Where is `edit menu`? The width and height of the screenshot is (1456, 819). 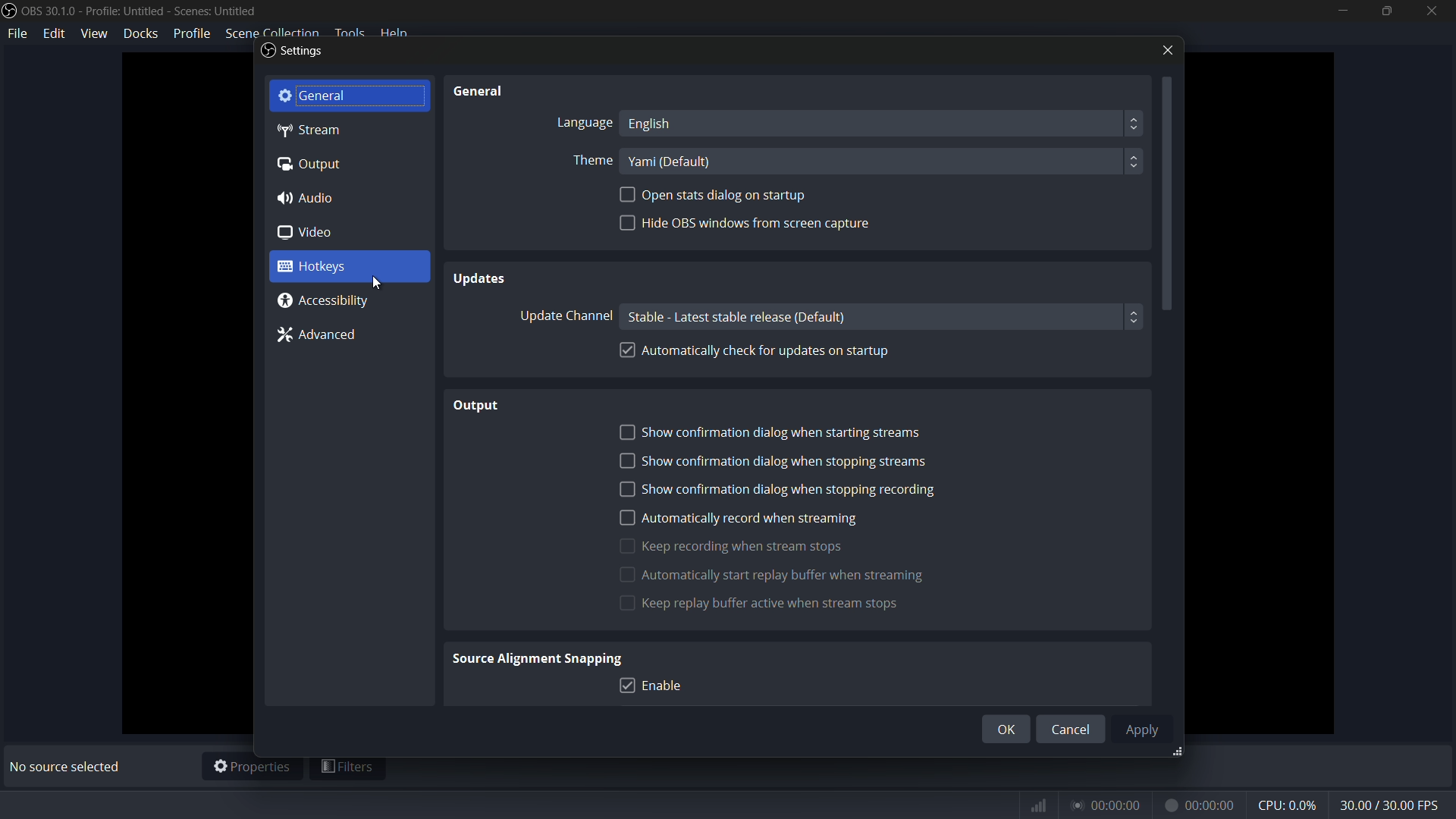
edit menu is located at coordinates (56, 33).